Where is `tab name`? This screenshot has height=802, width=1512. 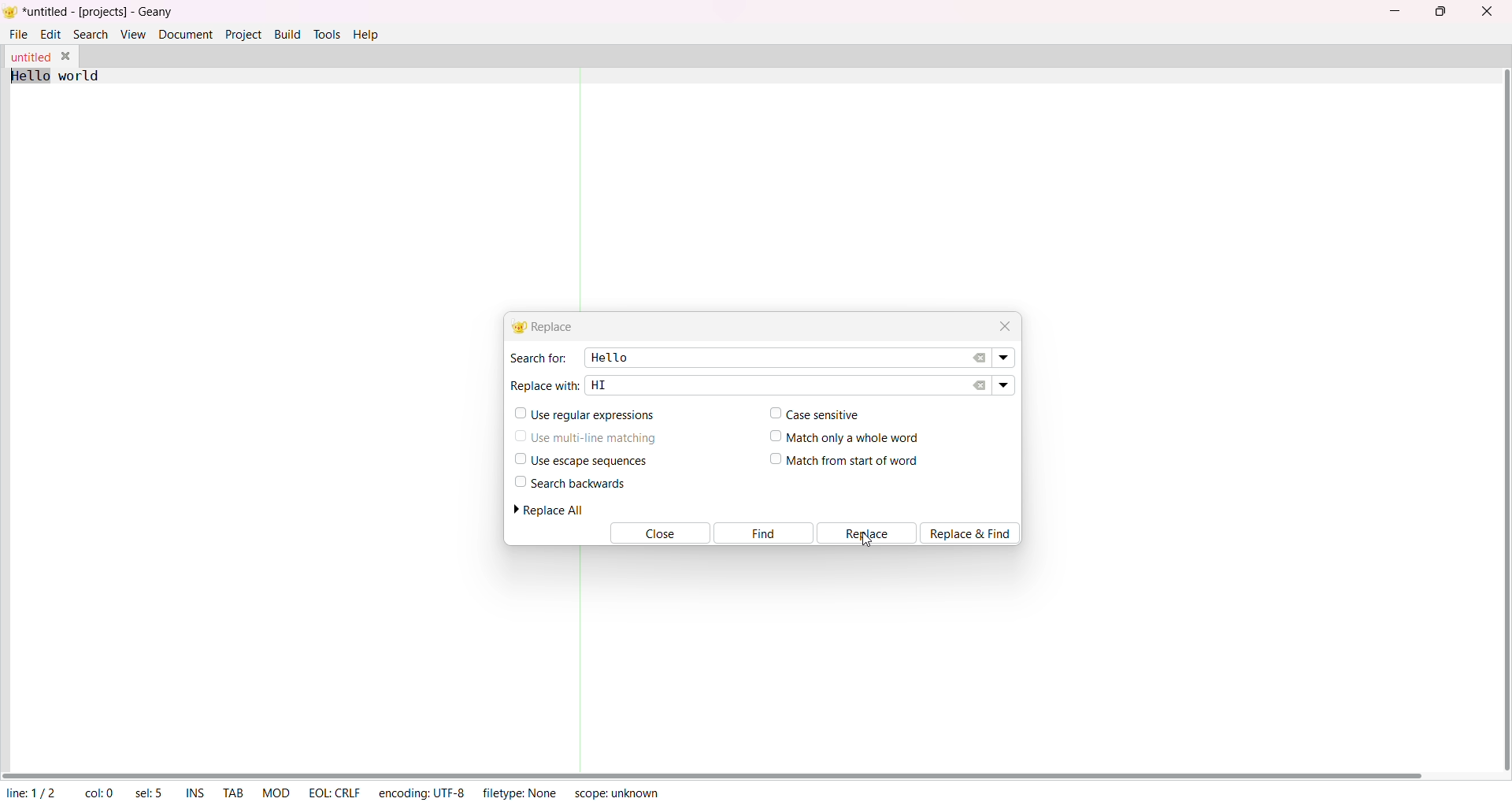 tab name is located at coordinates (30, 57).